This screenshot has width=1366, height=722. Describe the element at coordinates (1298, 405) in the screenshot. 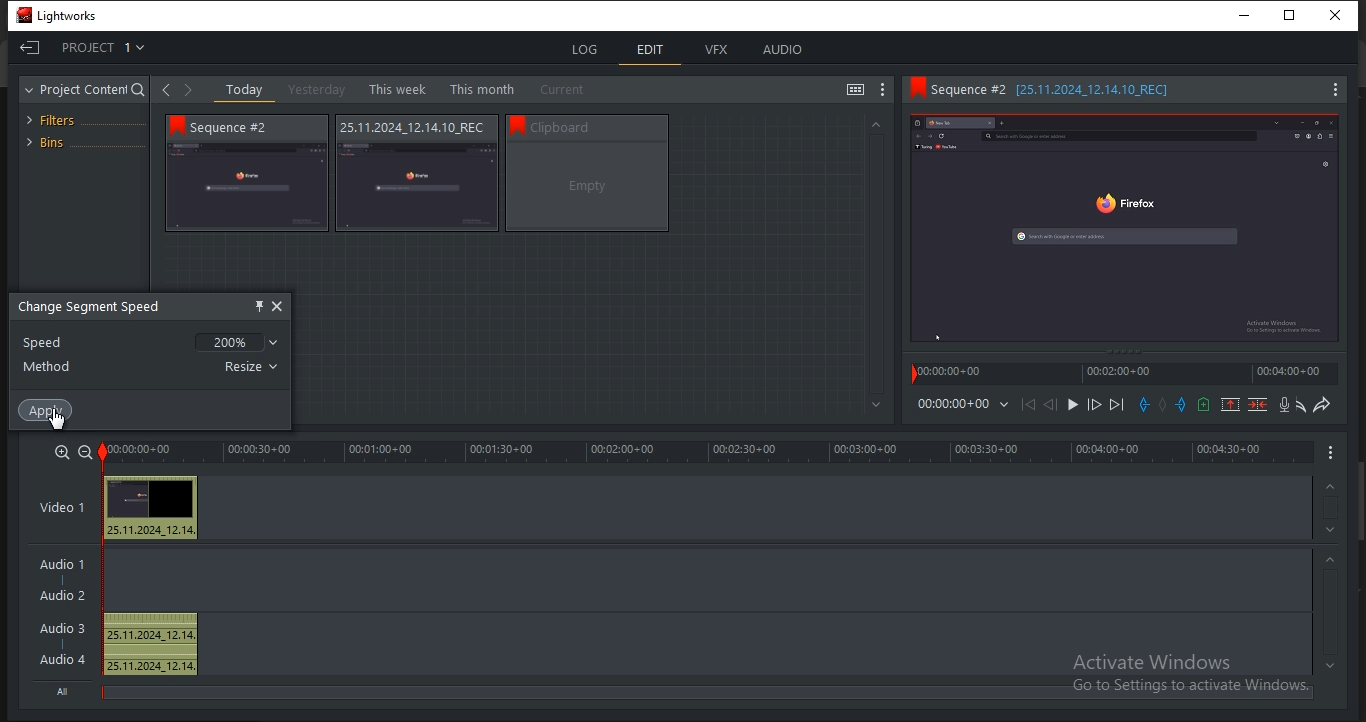

I see `undo` at that location.